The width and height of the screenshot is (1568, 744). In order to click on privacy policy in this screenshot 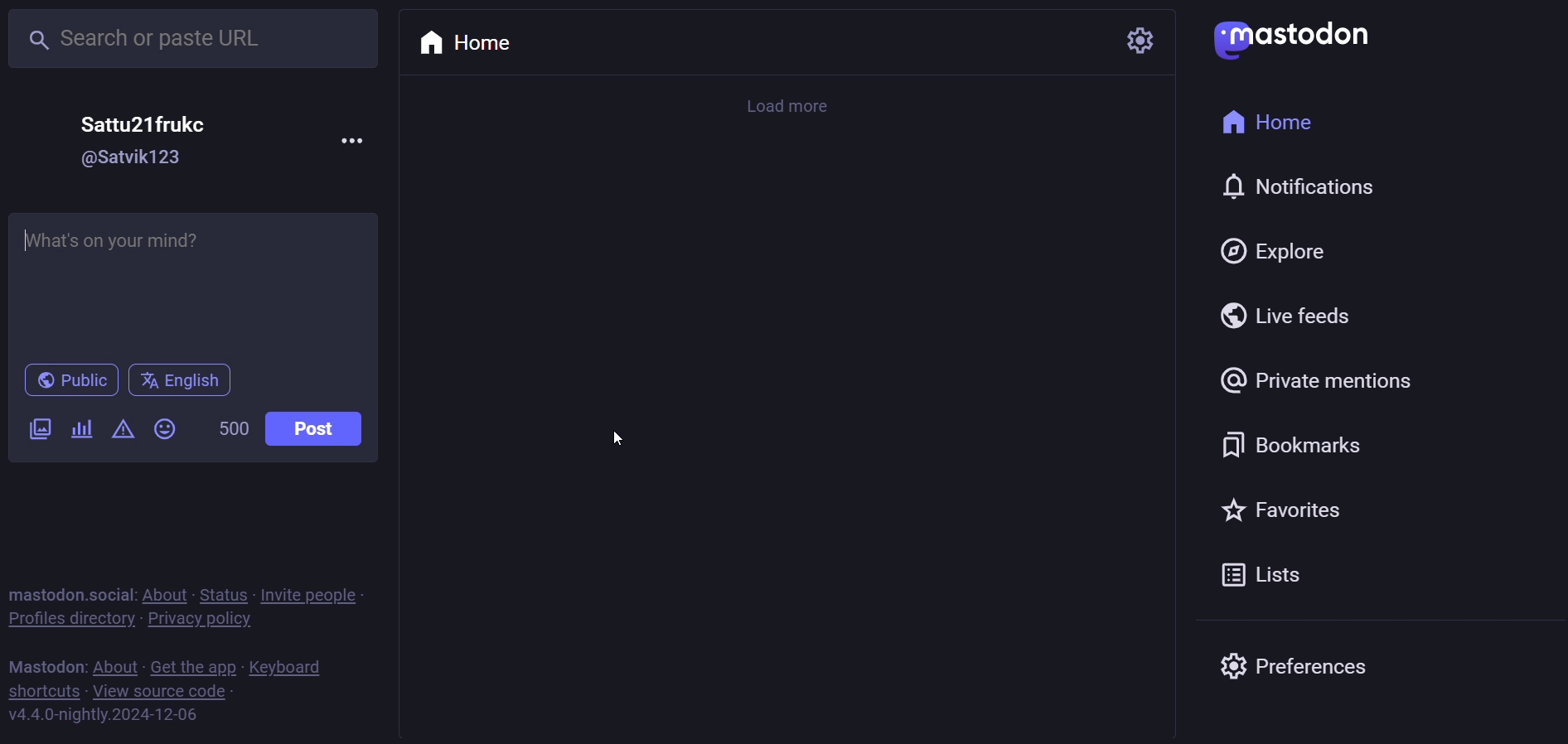, I will do `click(197, 621)`.